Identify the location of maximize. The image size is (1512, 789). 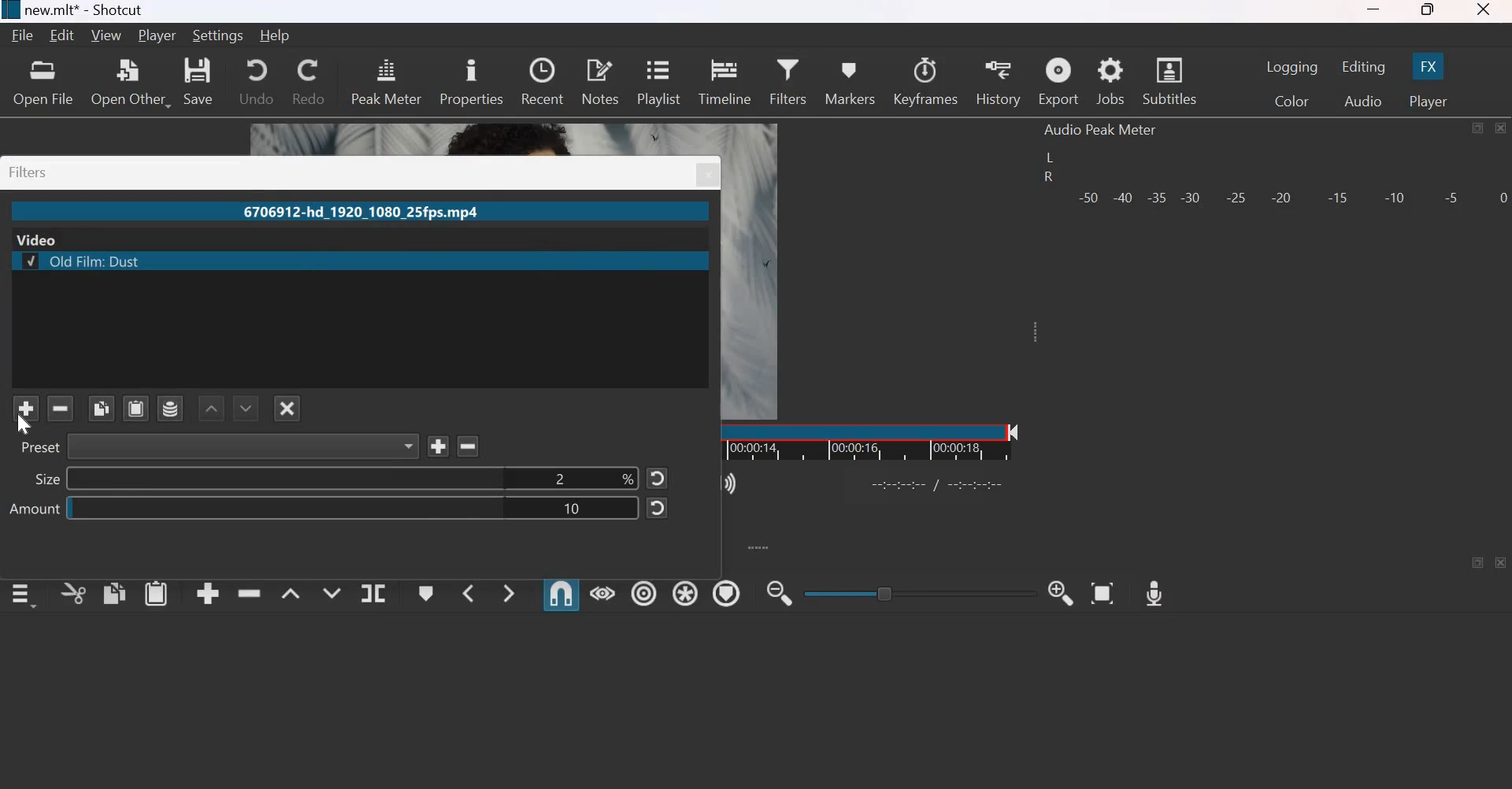
(1478, 563).